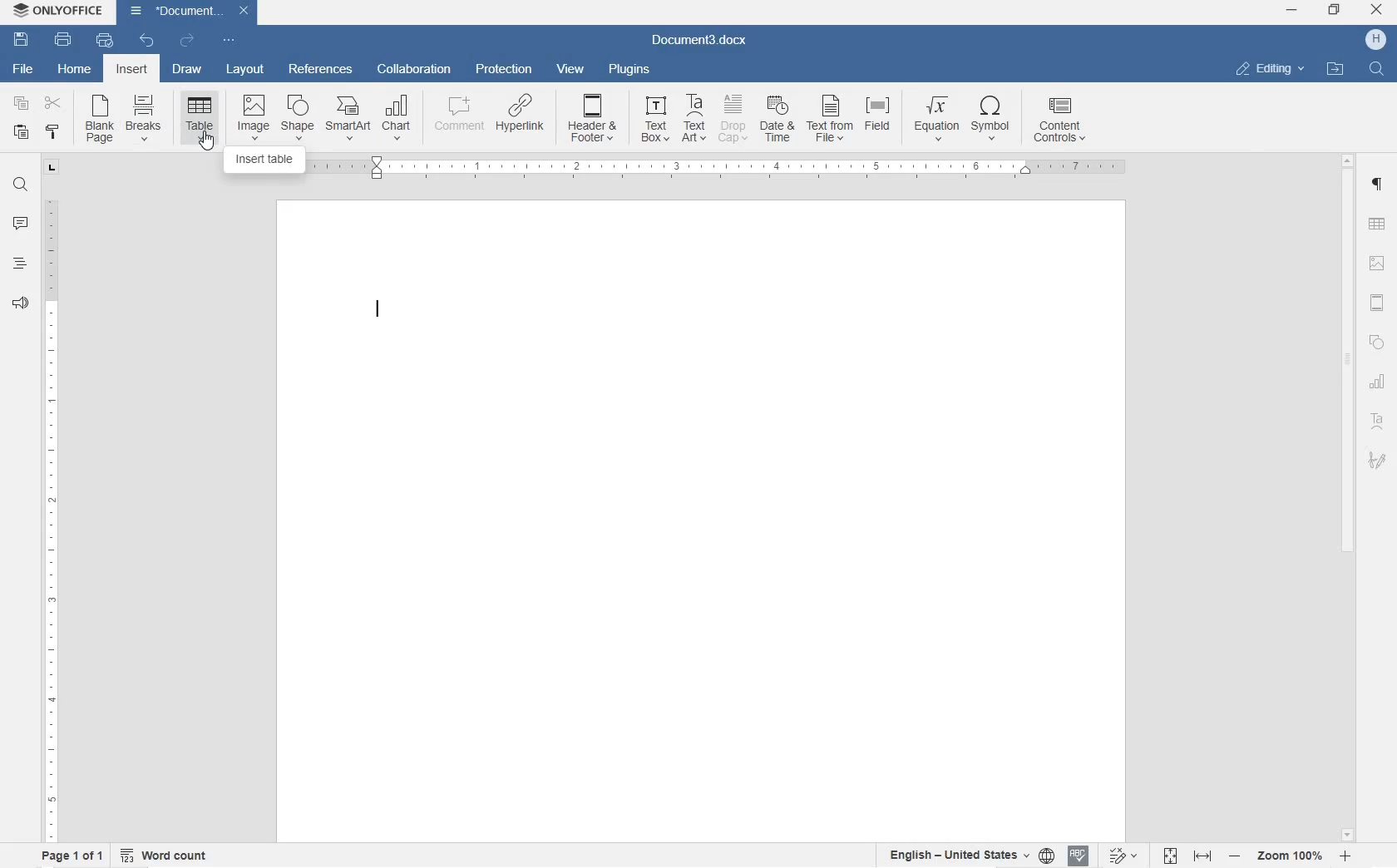 The width and height of the screenshot is (1397, 868). Describe the element at coordinates (881, 119) in the screenshot. I see `Field` at that location.